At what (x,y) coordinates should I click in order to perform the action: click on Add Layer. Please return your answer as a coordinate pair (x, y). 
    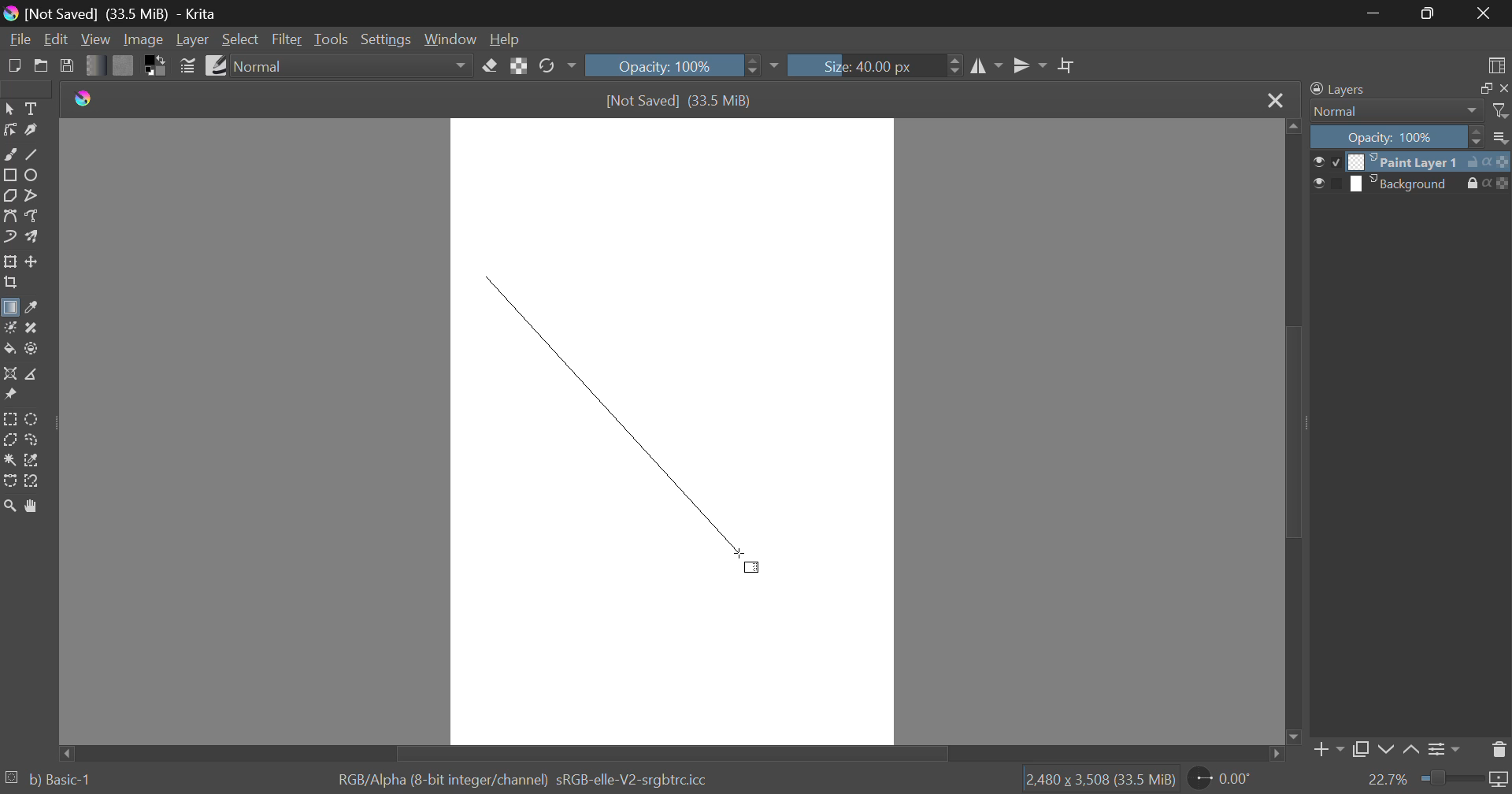
    Looking at the image, I should click on (1327, 753).